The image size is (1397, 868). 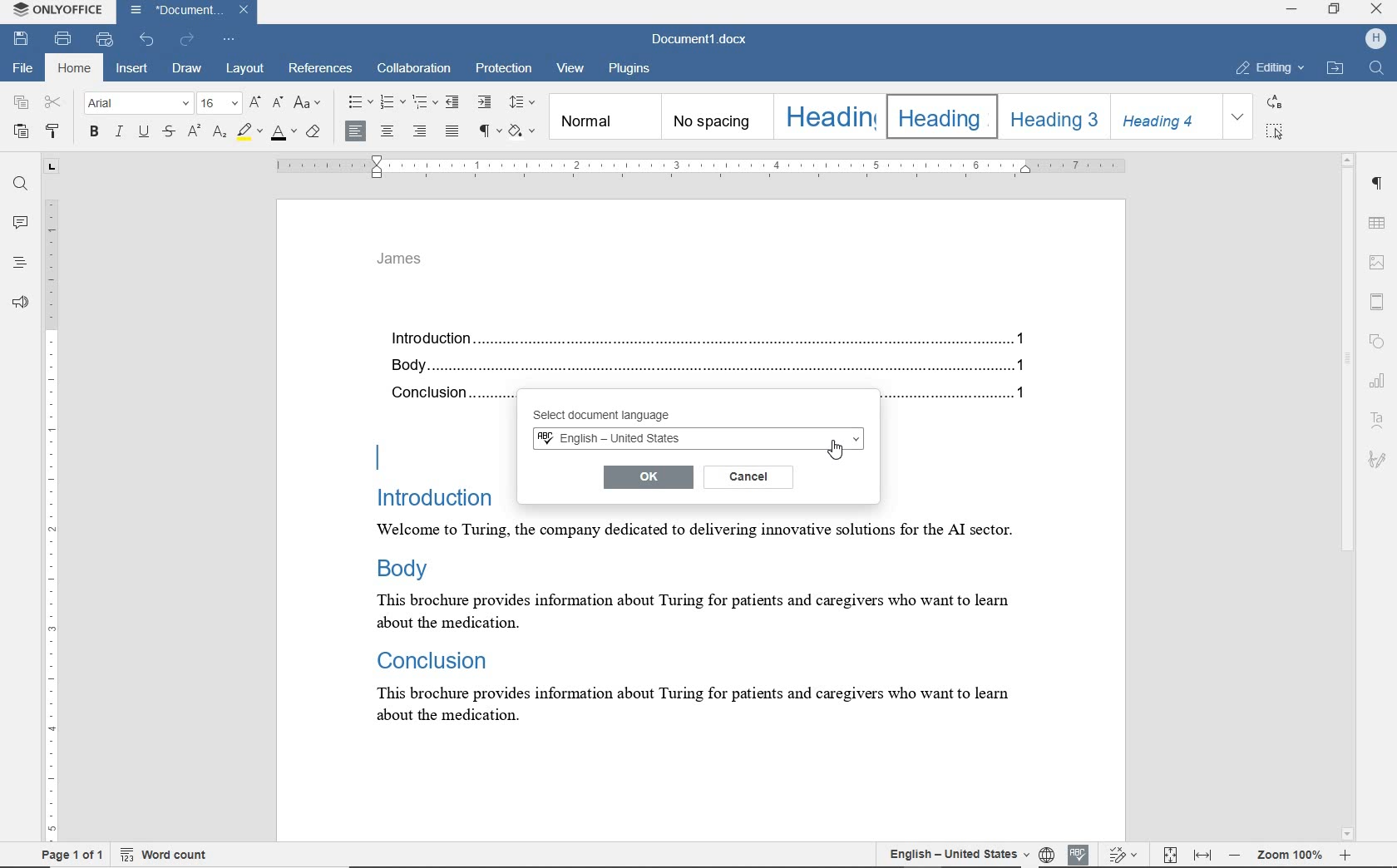 What do you see at coordinates (190, 70) in the screenshot?
I see `draw` at bounding box center [190, 70].